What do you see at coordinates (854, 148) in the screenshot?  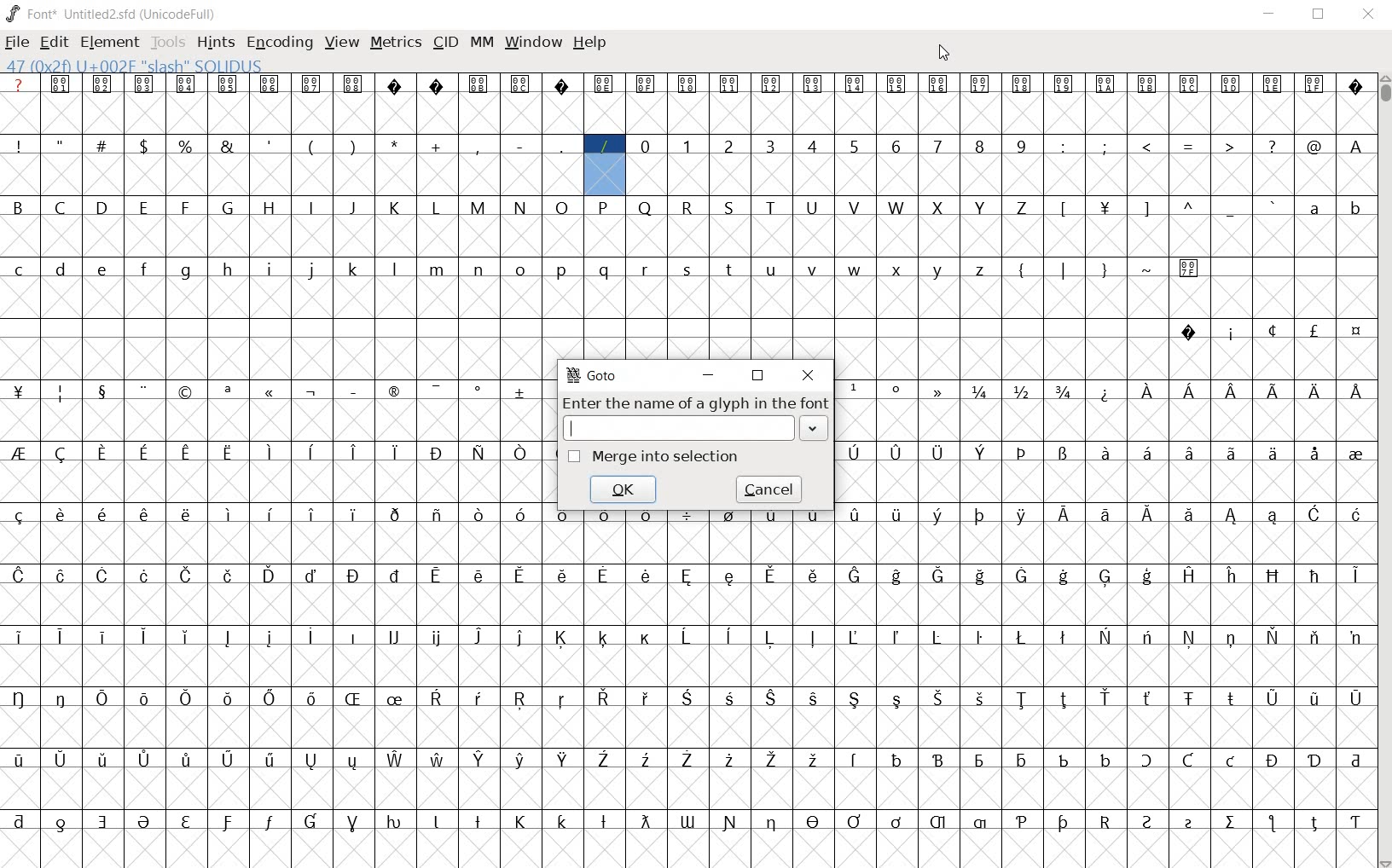 I see `glyph` at bounding box center [854, 148].